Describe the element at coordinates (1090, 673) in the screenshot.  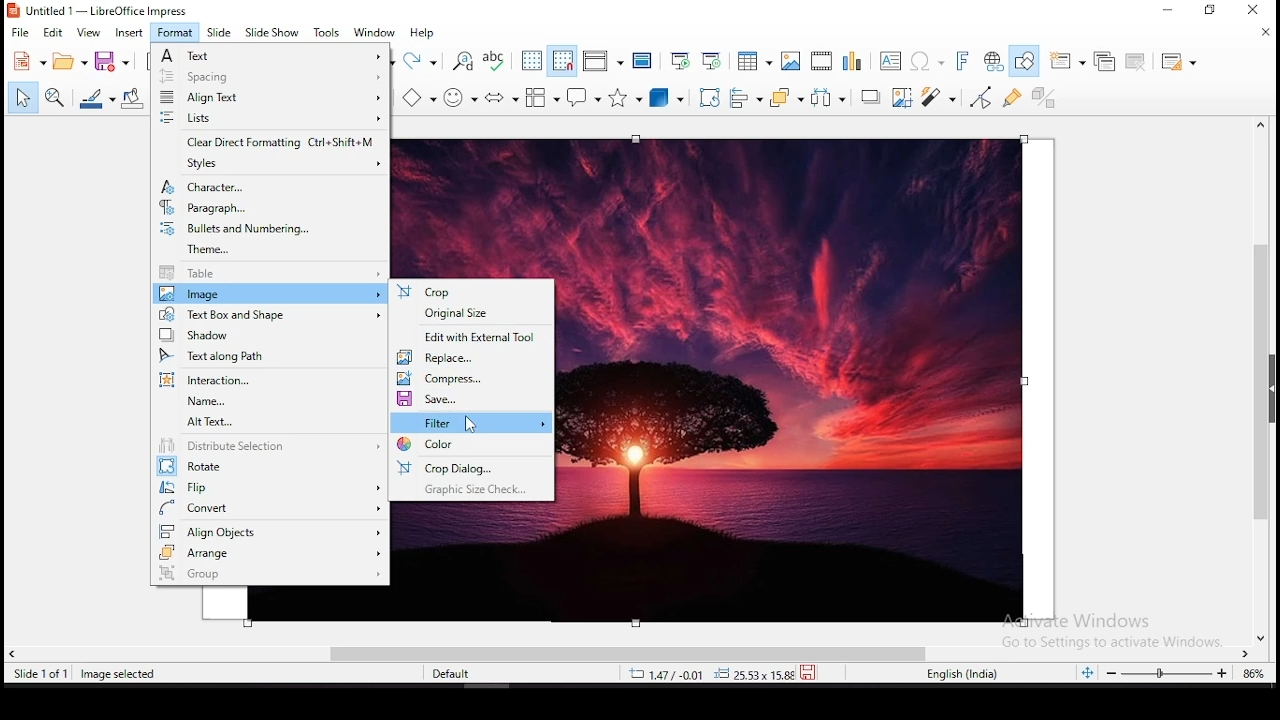
I see `fit slide to current window` at that location.